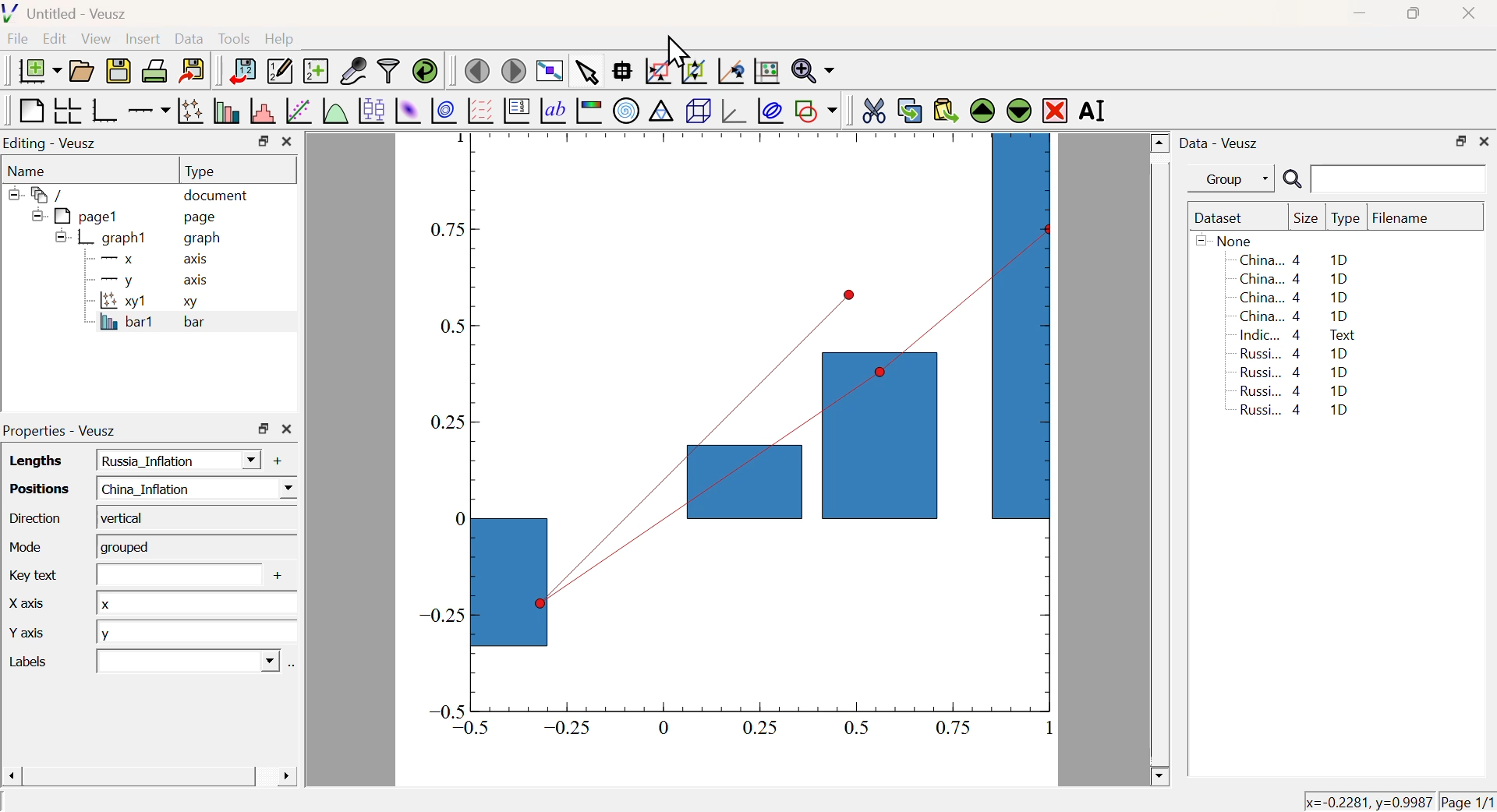 Image resolution: width=1497 pixels, height=812 pixels. I want to click on Previous Page, so click(478, 72).